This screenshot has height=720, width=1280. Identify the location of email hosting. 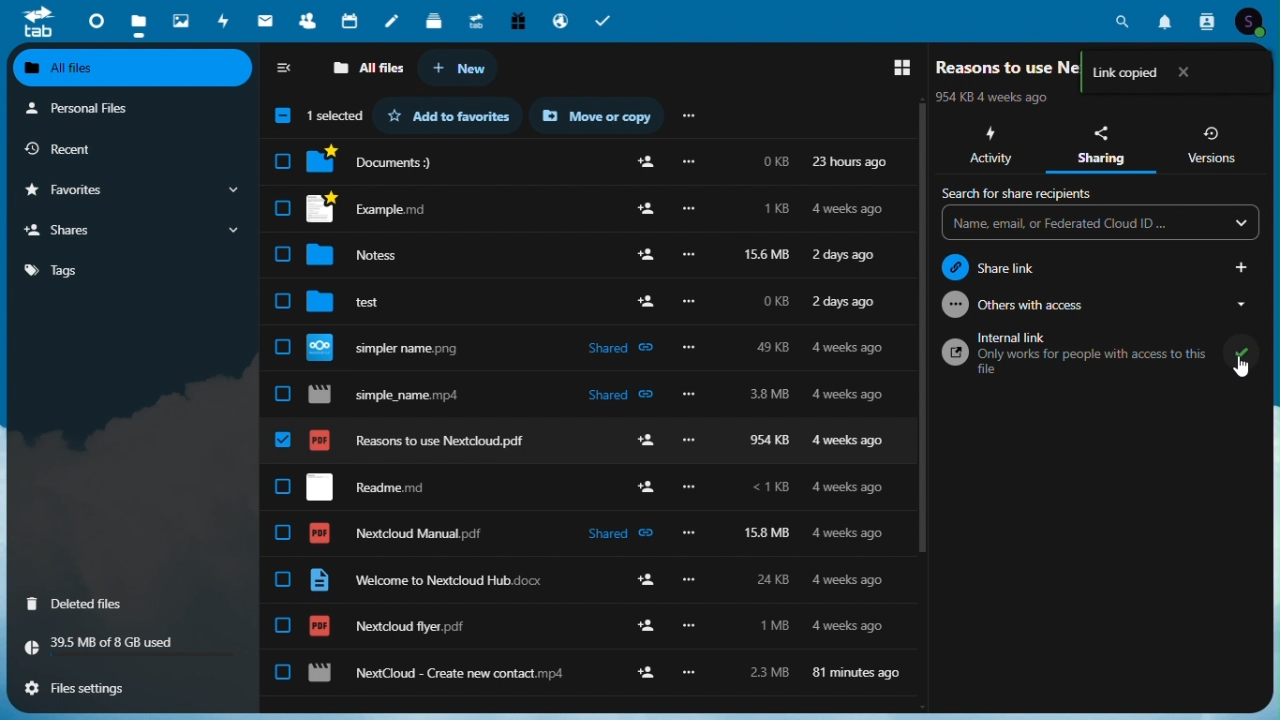
(562, 21).